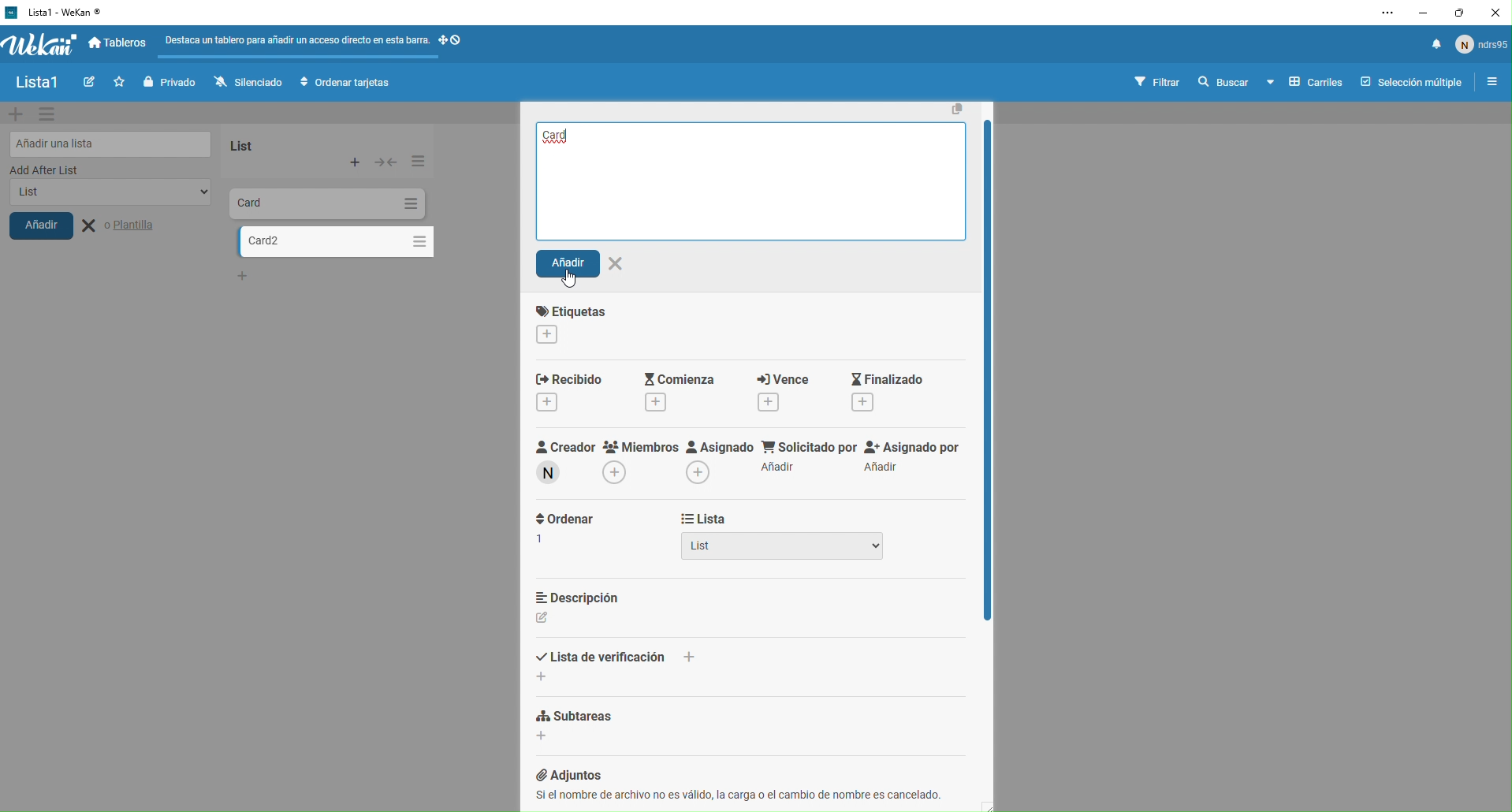 Image resolution: width=1512 pixels, height=812 pixels. I want to click on lista1, so click(36, 84).